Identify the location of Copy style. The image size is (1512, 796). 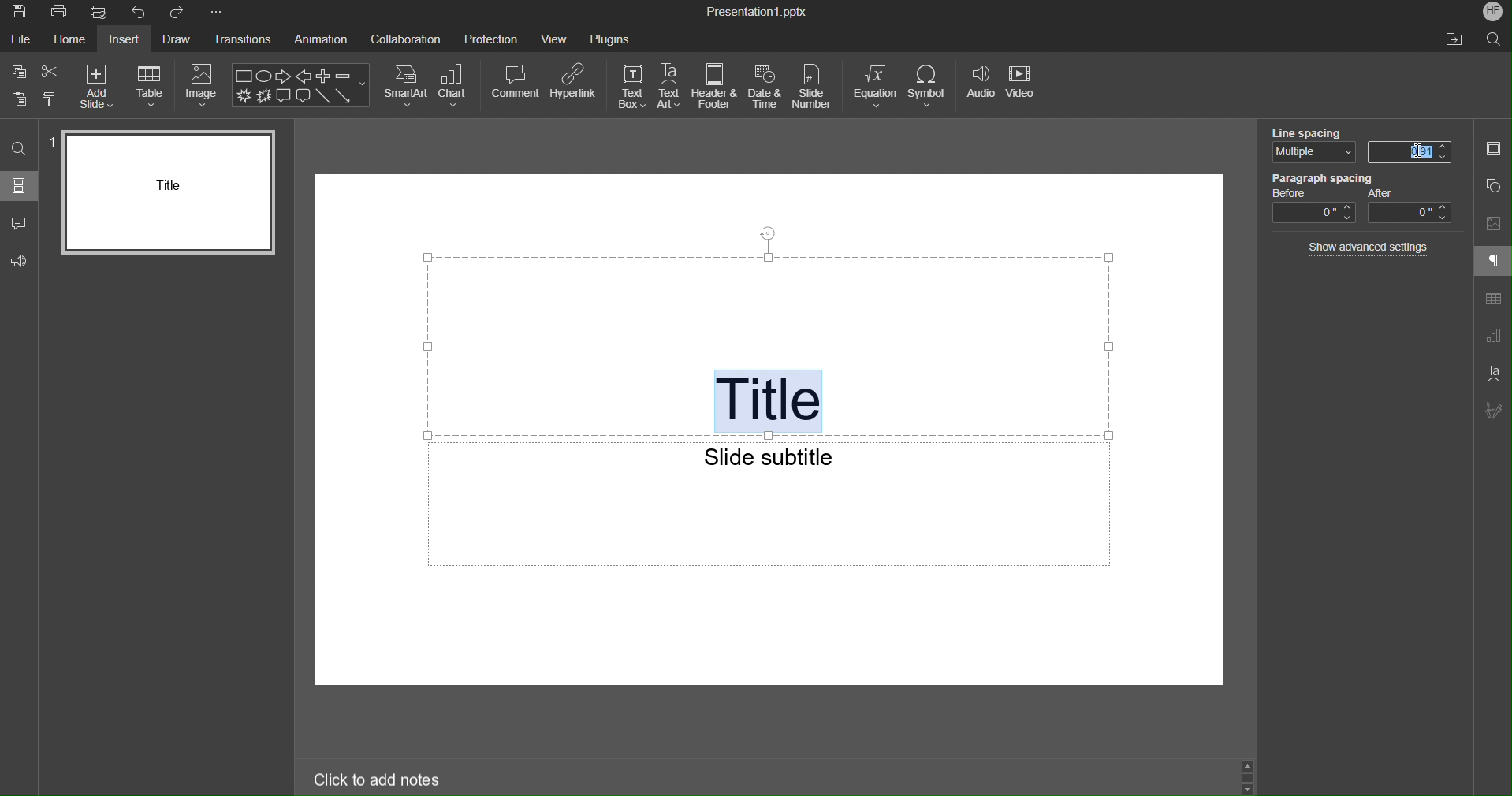
(51, 97).